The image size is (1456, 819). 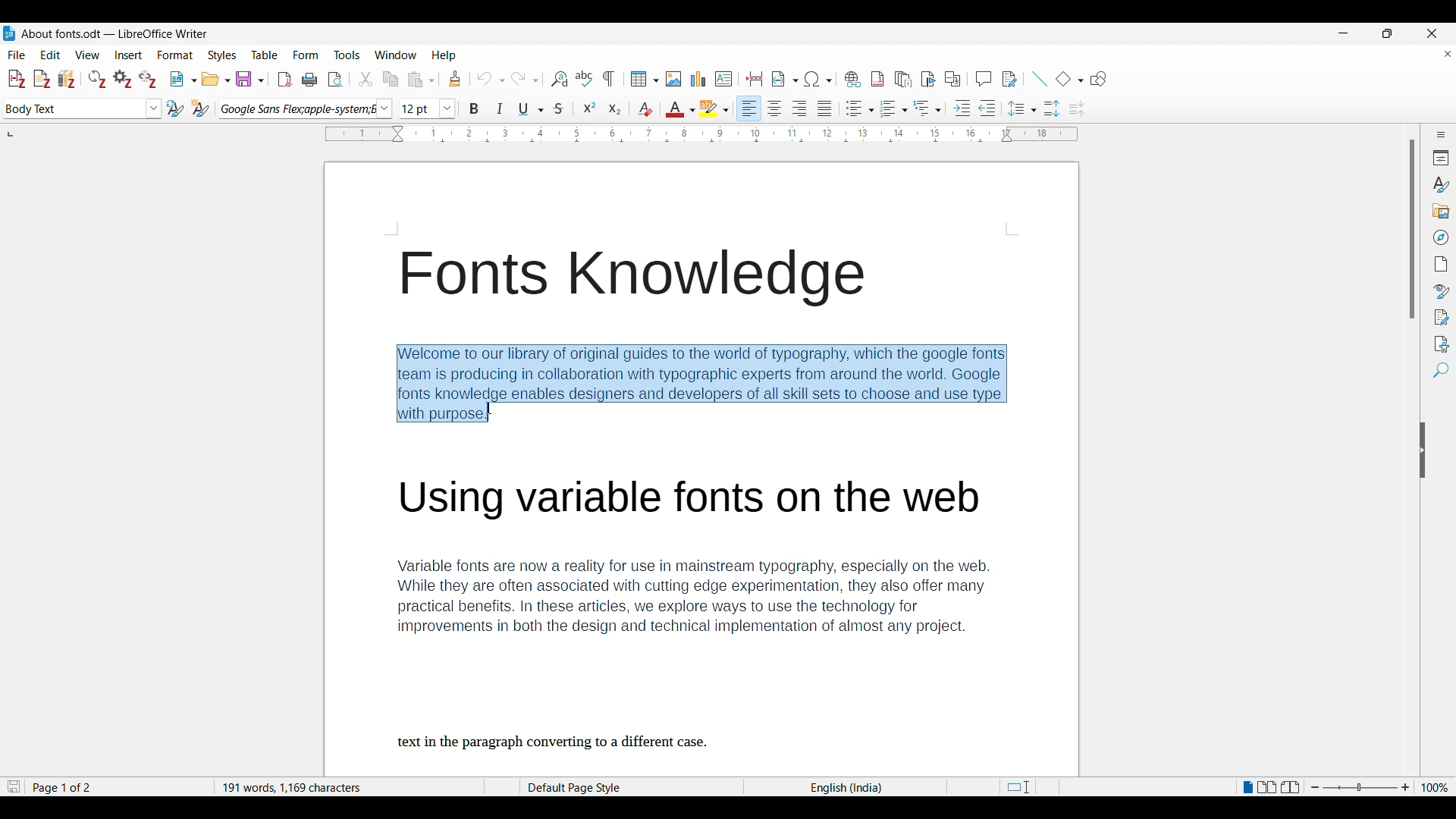 What do you see at coordinates (714, 108) in the screenshot?
I see `Highlight color options` at bounding box center [714, 108].